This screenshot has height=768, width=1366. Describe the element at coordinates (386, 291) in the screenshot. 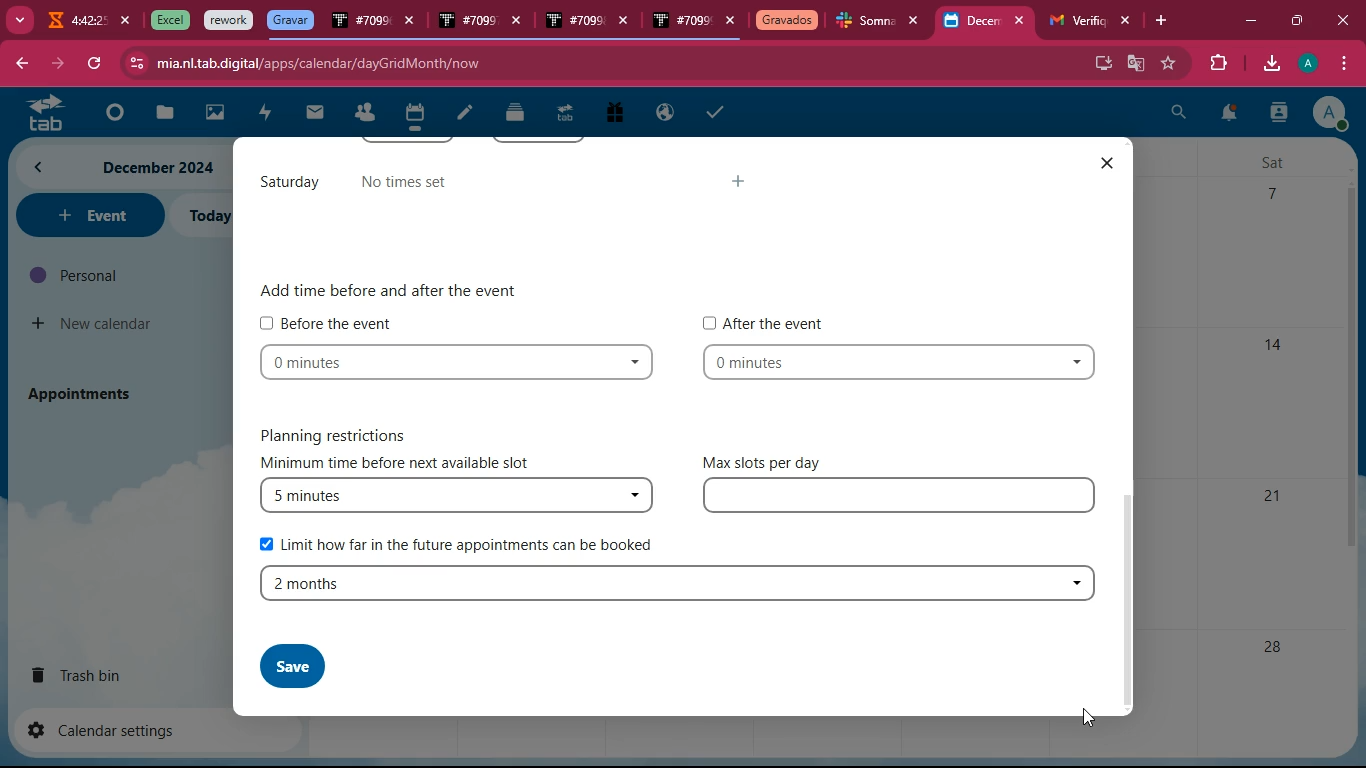

I see `‘Add time before and after the event` at that location.